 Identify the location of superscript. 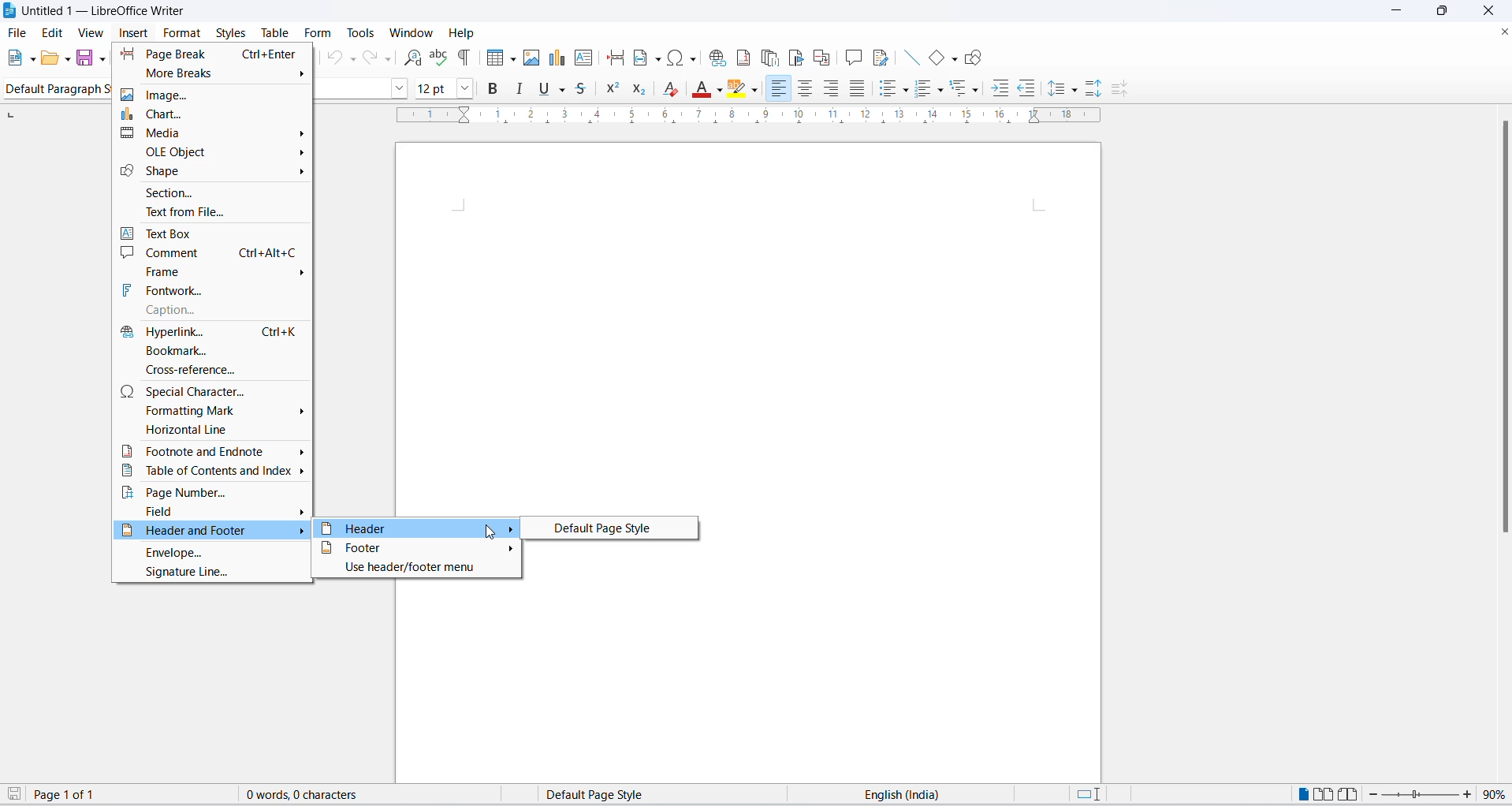
(615, 90).